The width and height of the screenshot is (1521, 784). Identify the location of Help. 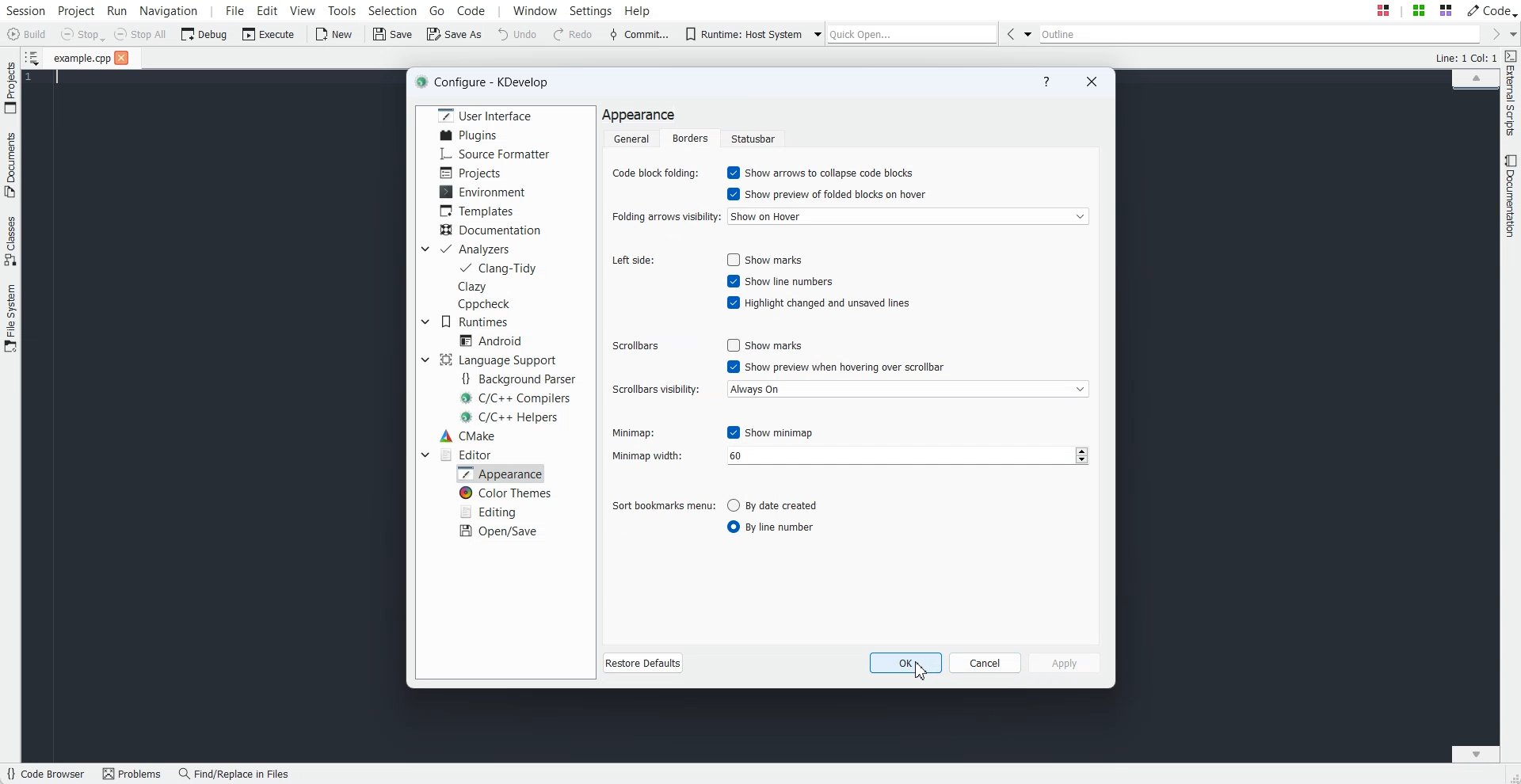
(1046, 81).